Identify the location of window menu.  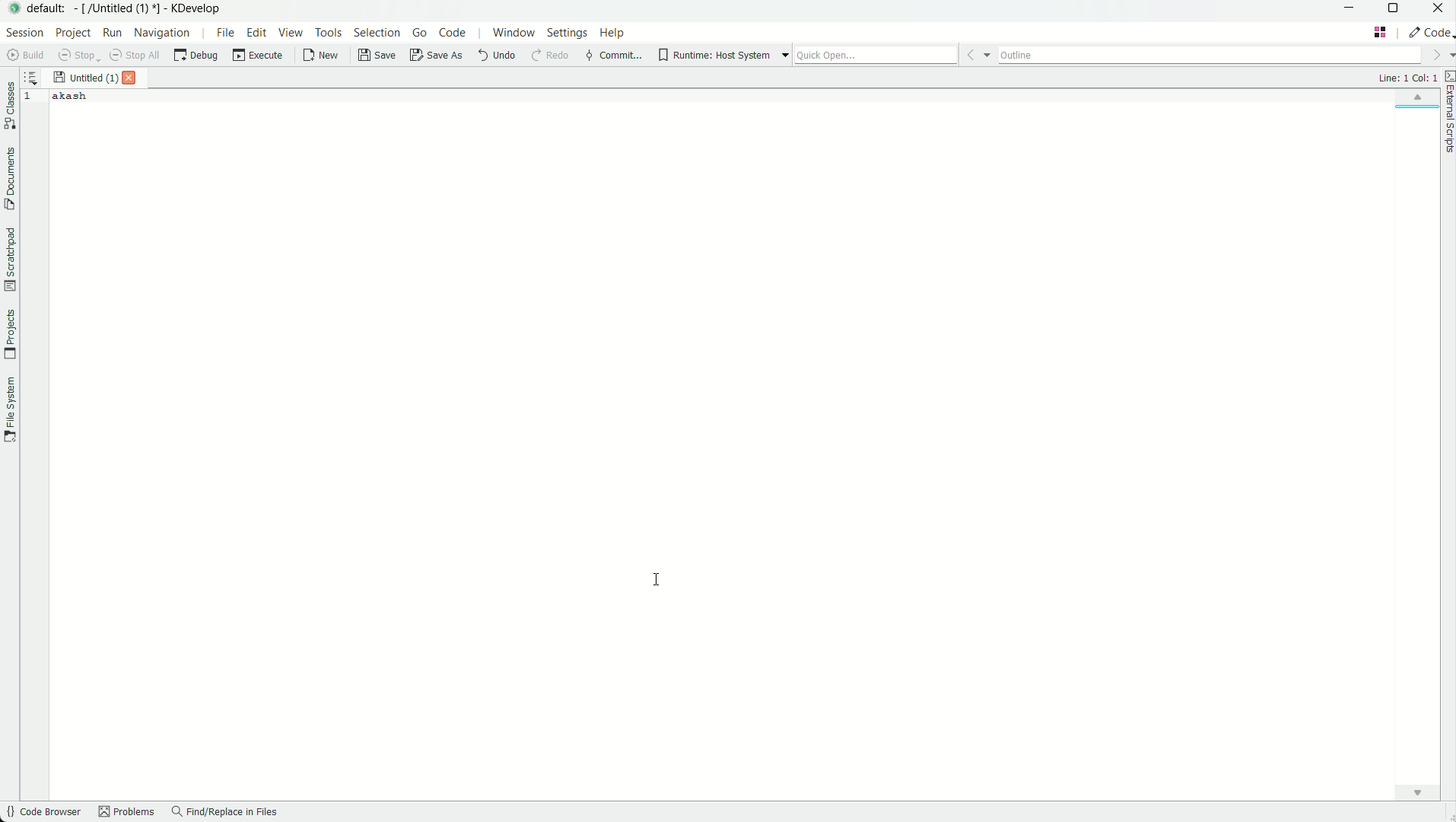
(513, 35).